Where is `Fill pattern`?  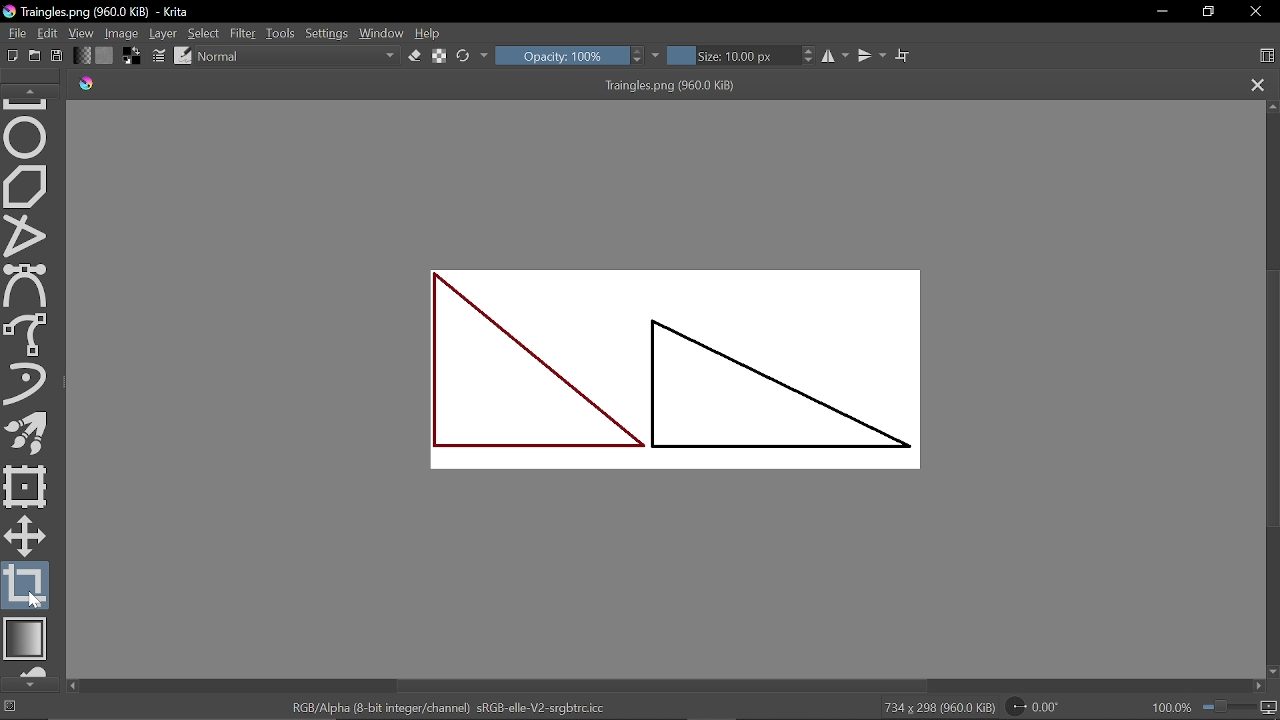 Fill pattern is located at coordinates (105, 56).